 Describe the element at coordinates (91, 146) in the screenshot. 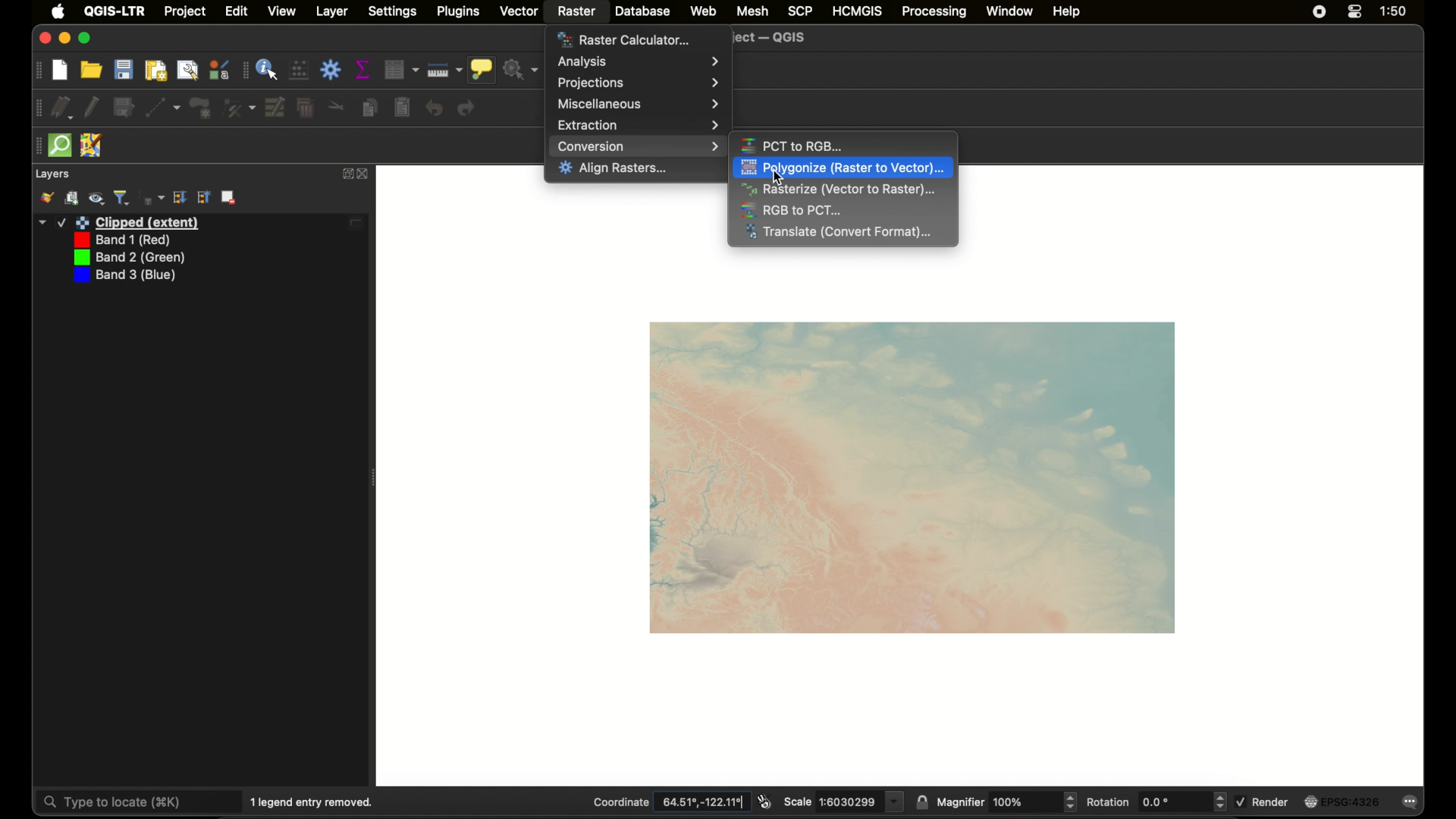

I see `jsom remote` at that location.